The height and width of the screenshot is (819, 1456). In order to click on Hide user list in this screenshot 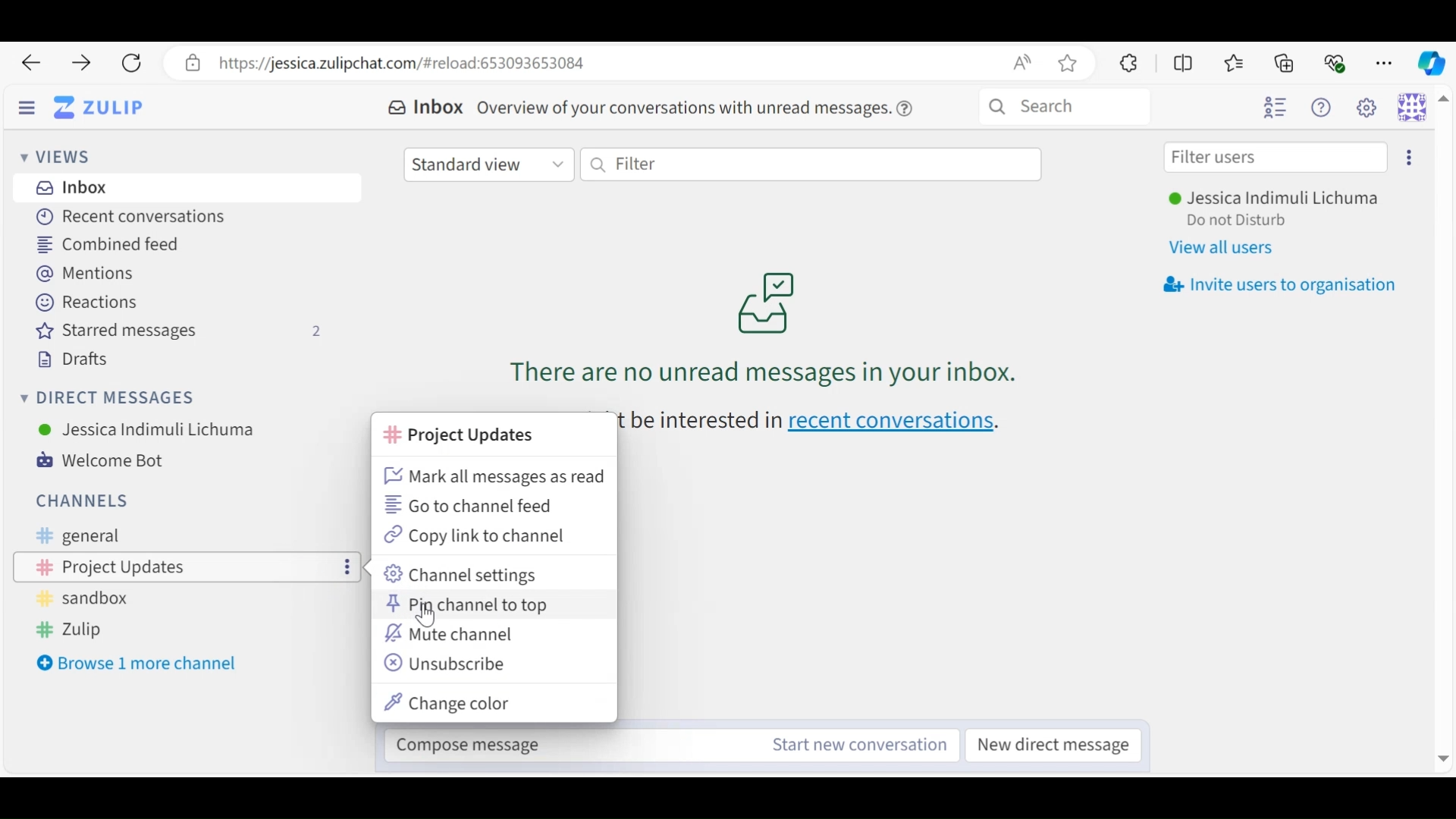, I will do `click(1275, 108)`.